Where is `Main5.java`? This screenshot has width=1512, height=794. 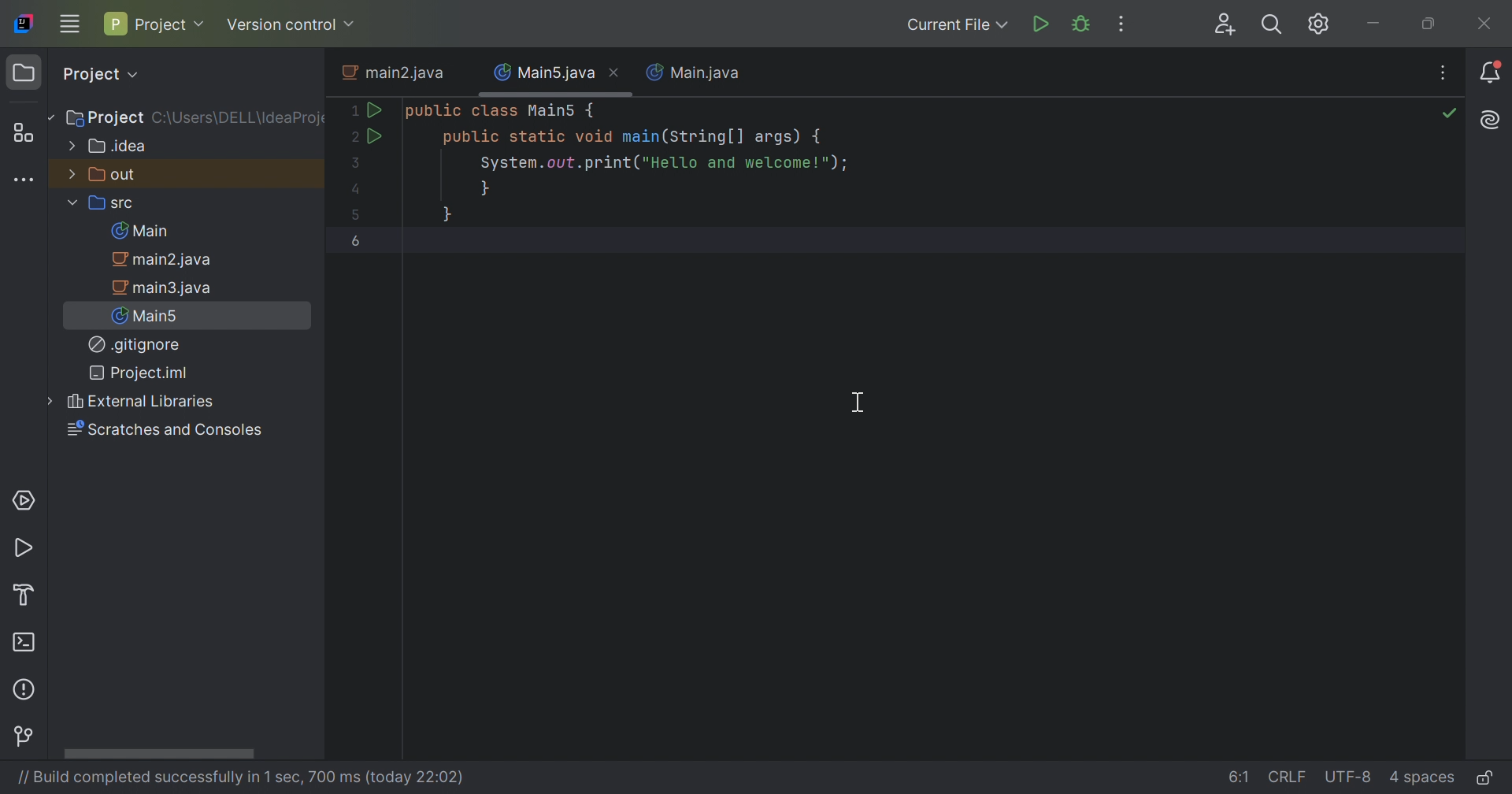 Main5.java is located at coordinates (544, 70).